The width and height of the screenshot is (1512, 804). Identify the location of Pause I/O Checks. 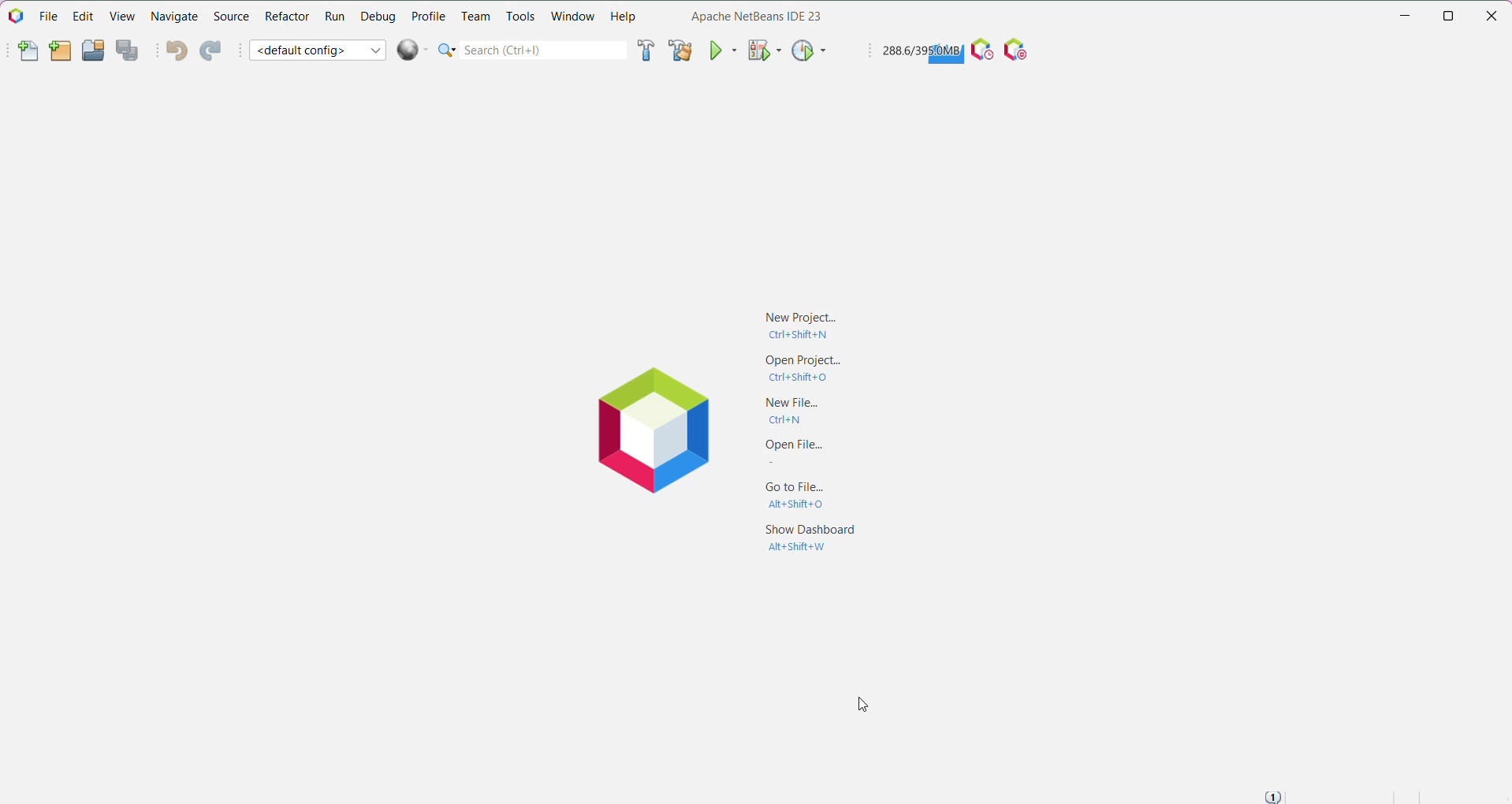
(1019, 50).